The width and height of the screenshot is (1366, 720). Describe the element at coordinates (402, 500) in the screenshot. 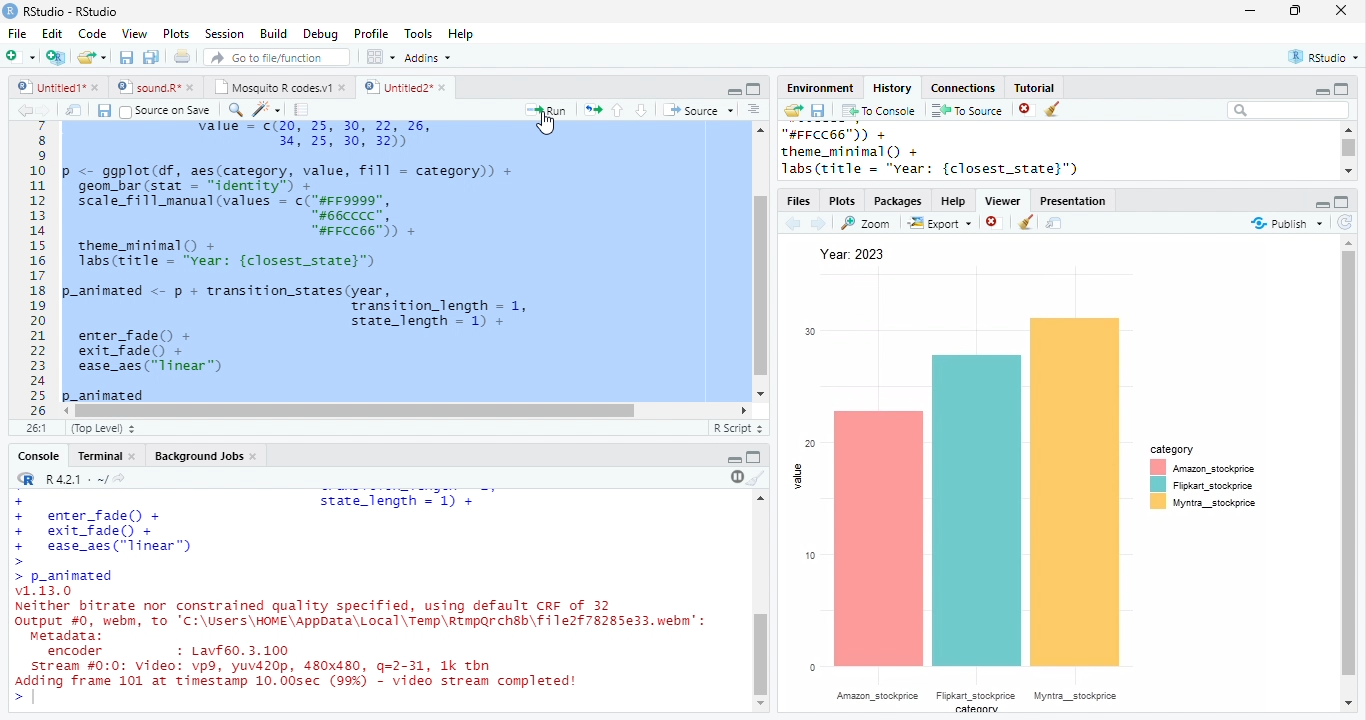

I see `state_length = 1)+` at that location.